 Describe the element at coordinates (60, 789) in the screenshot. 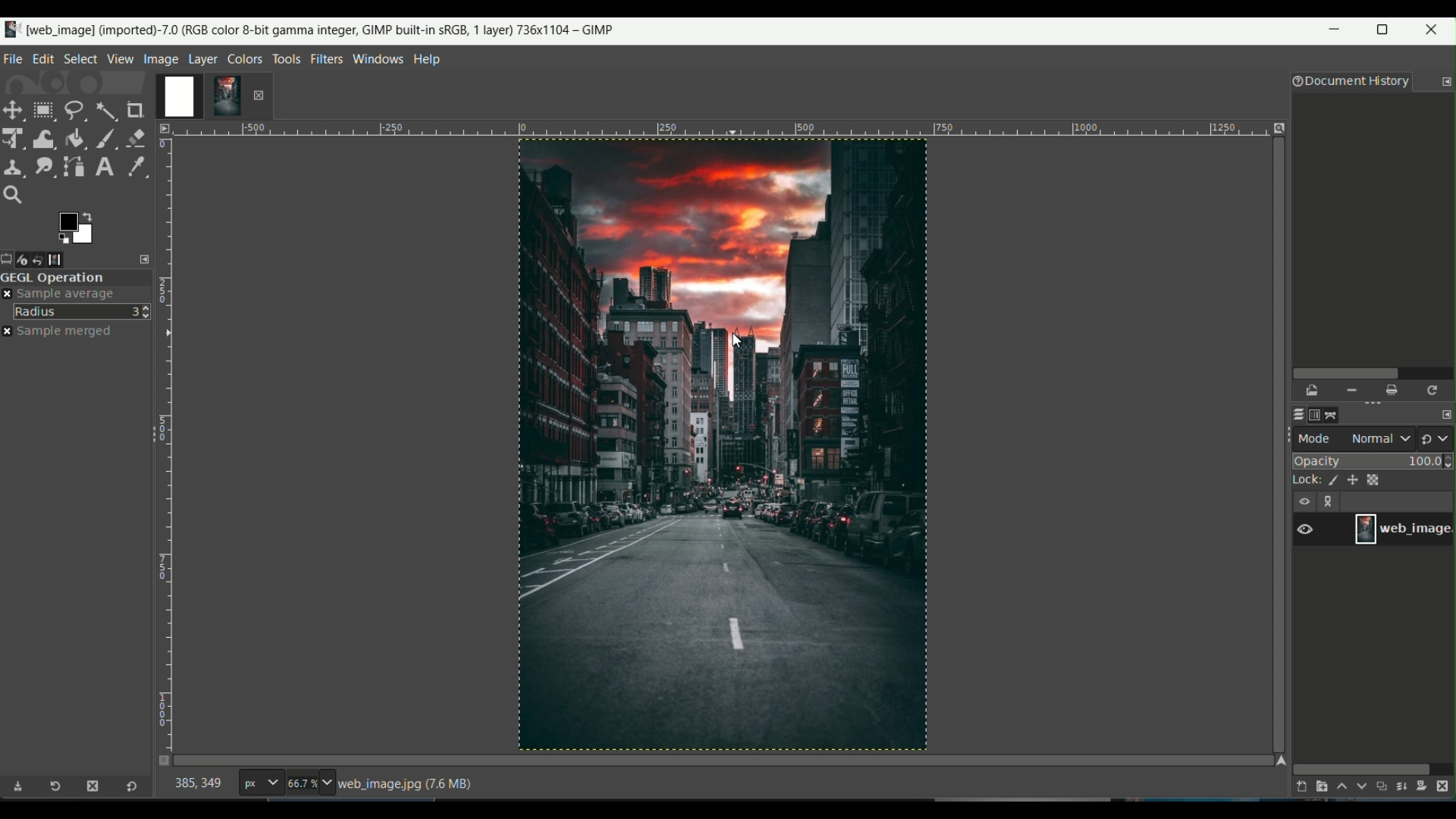

I see `restore tool preset` at that location.